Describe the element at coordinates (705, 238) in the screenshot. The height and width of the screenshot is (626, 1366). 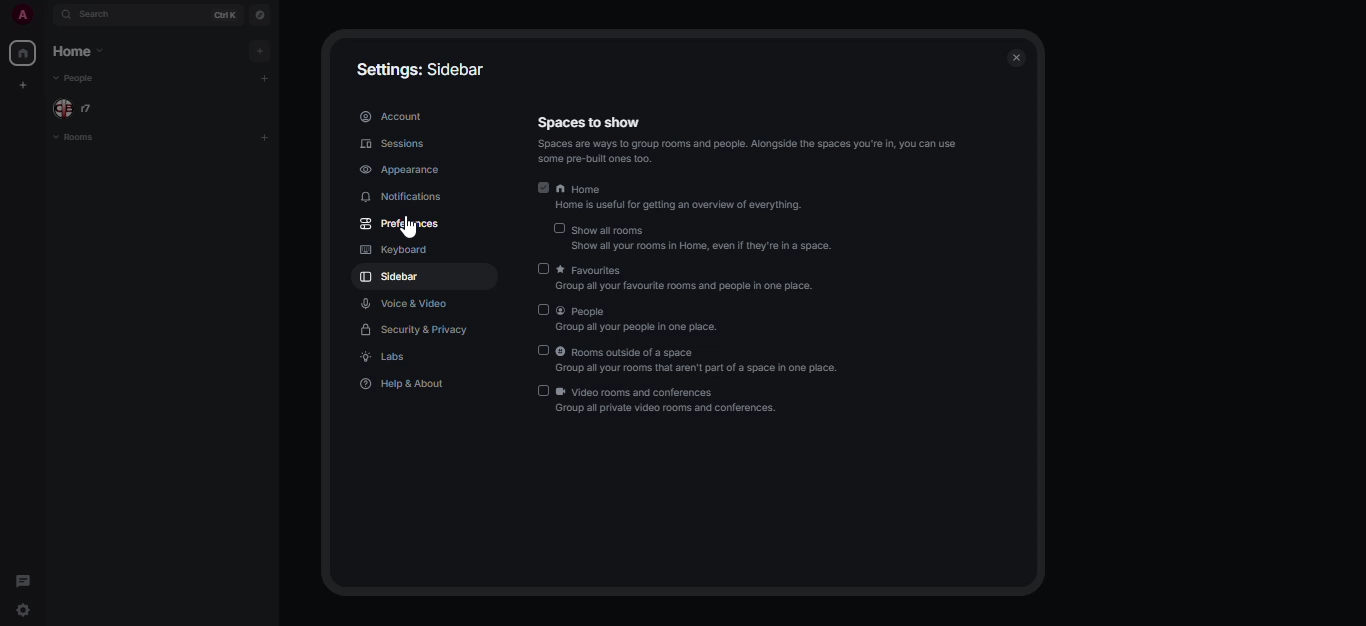
I see `Show all rooms show all your rooms in home, even if they're in a space ` at that location.